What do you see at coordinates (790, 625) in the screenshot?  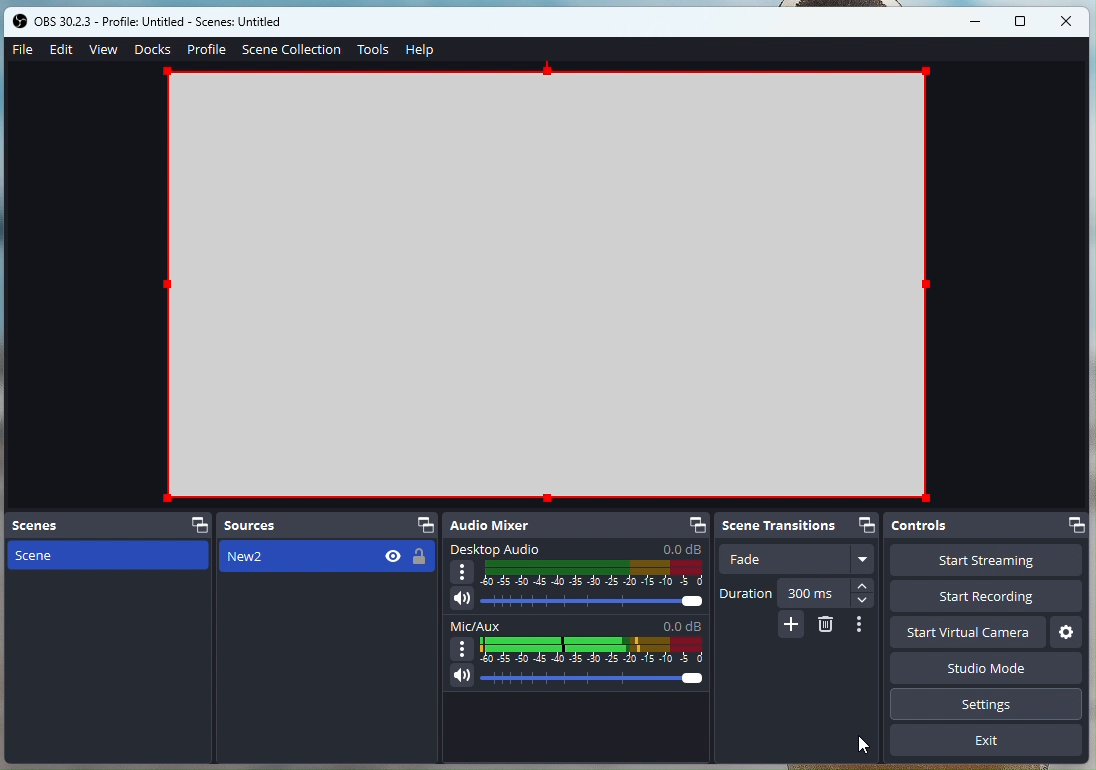 I see `add` at bounding box center [790, 625].